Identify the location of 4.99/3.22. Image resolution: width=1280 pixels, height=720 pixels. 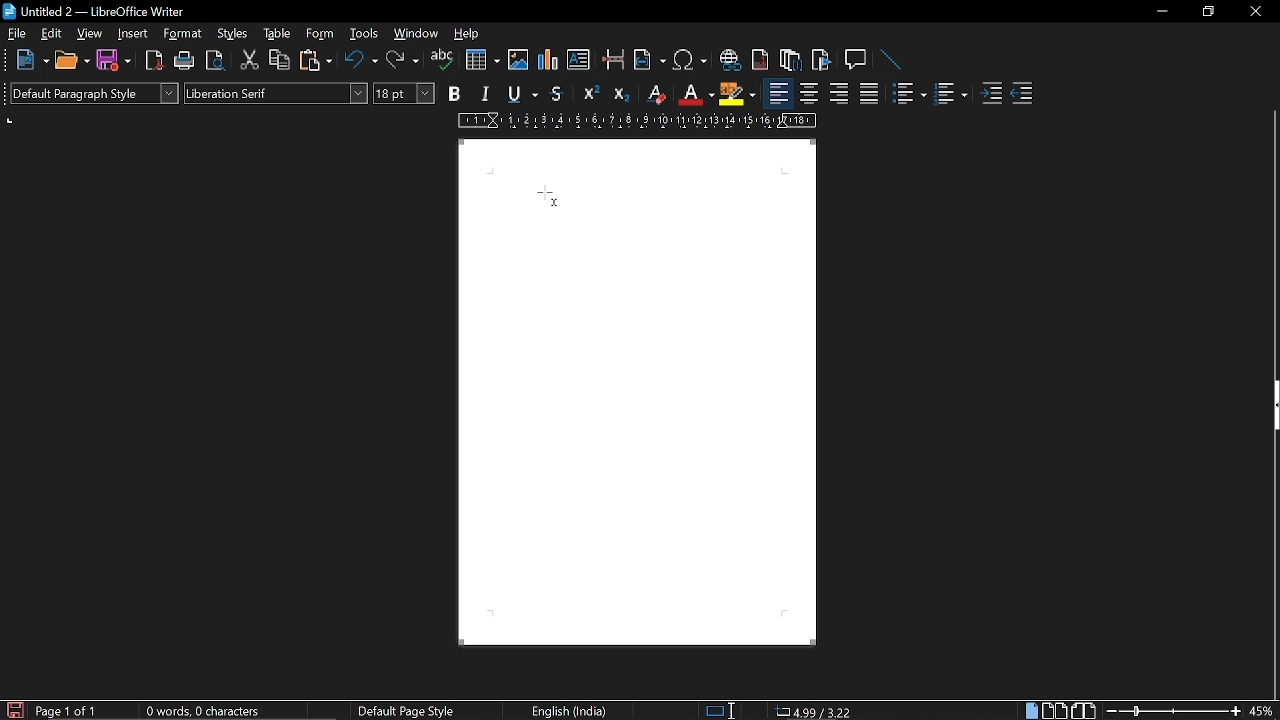
(813, 710).